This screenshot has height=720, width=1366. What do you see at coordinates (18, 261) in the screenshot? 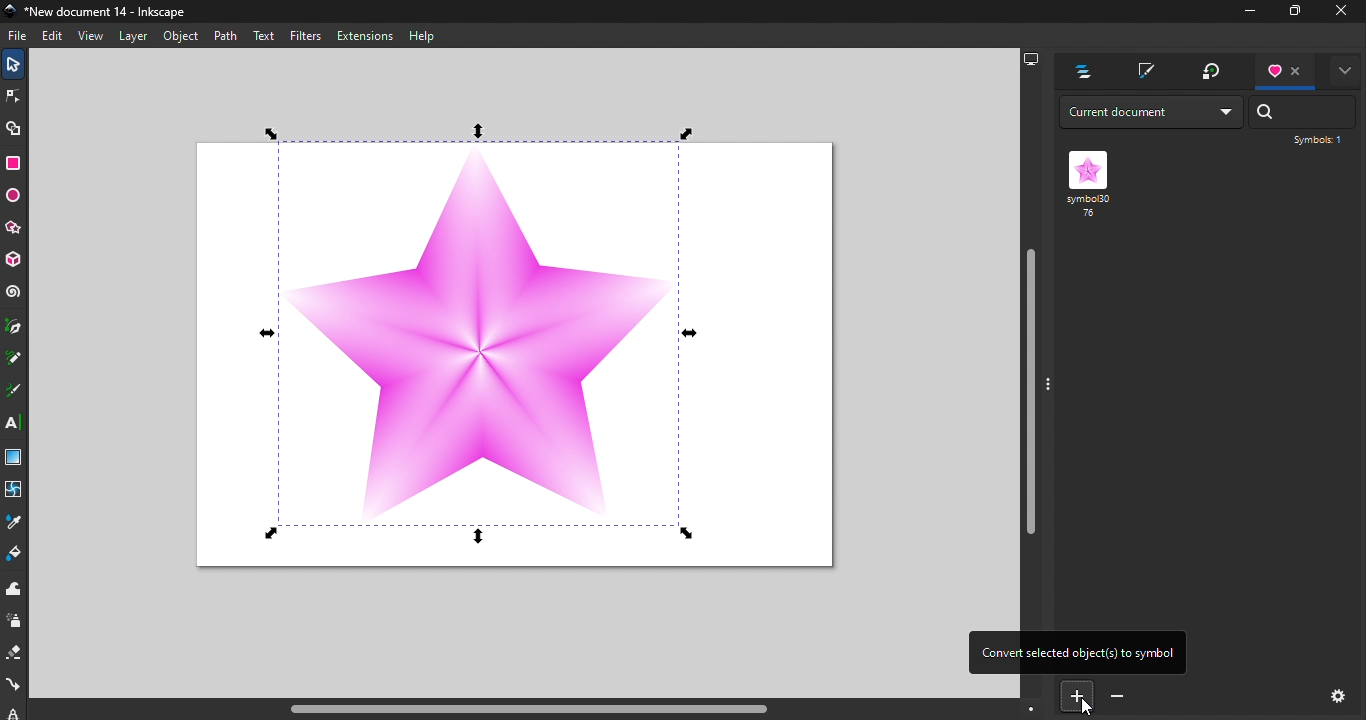
I see `3D box tool` at bounding box center [18, 261].